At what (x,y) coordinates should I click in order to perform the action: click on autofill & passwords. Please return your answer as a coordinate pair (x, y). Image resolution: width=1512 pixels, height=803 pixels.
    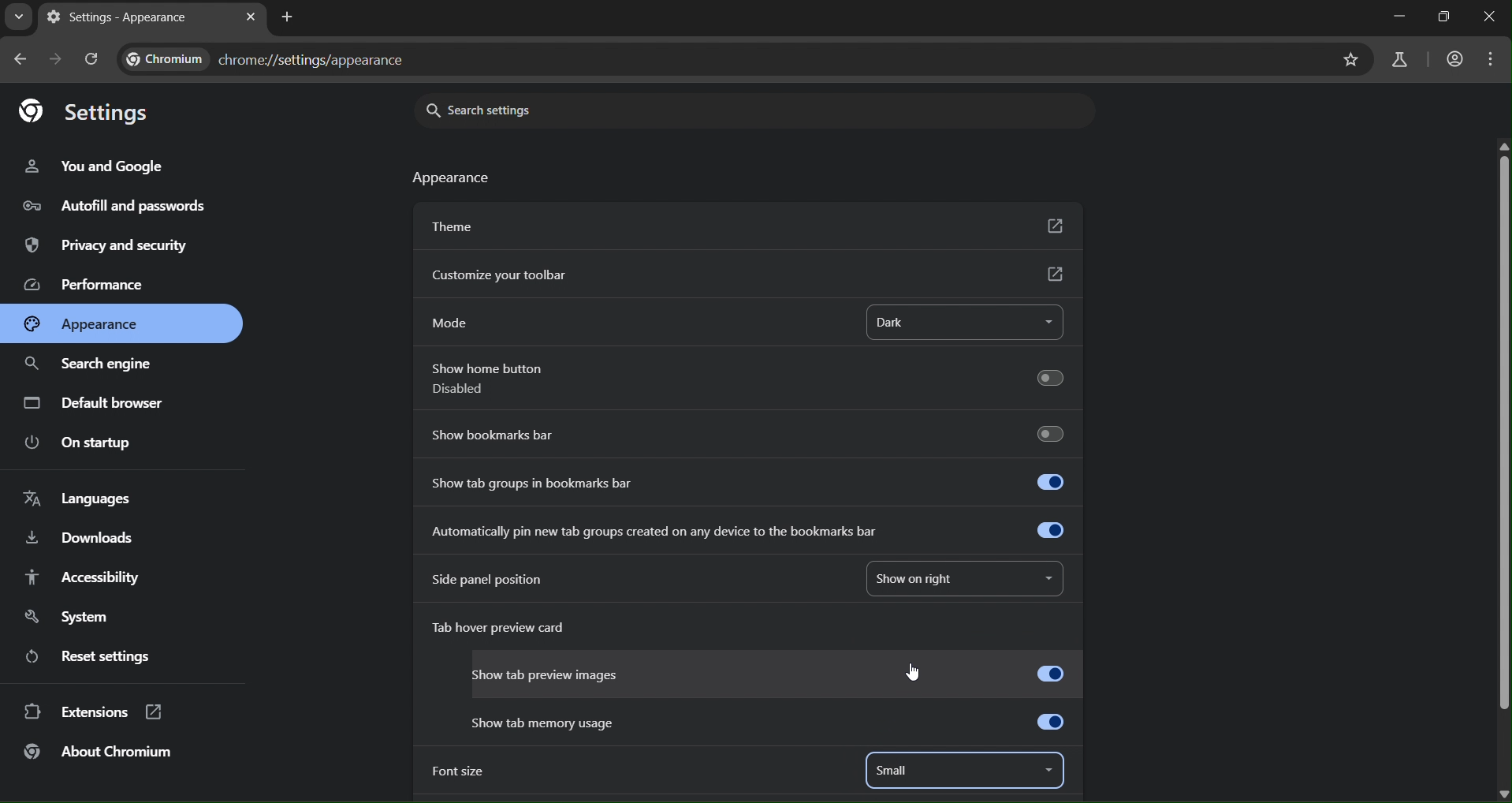
    Looking at the image, I should click on (113, 204).